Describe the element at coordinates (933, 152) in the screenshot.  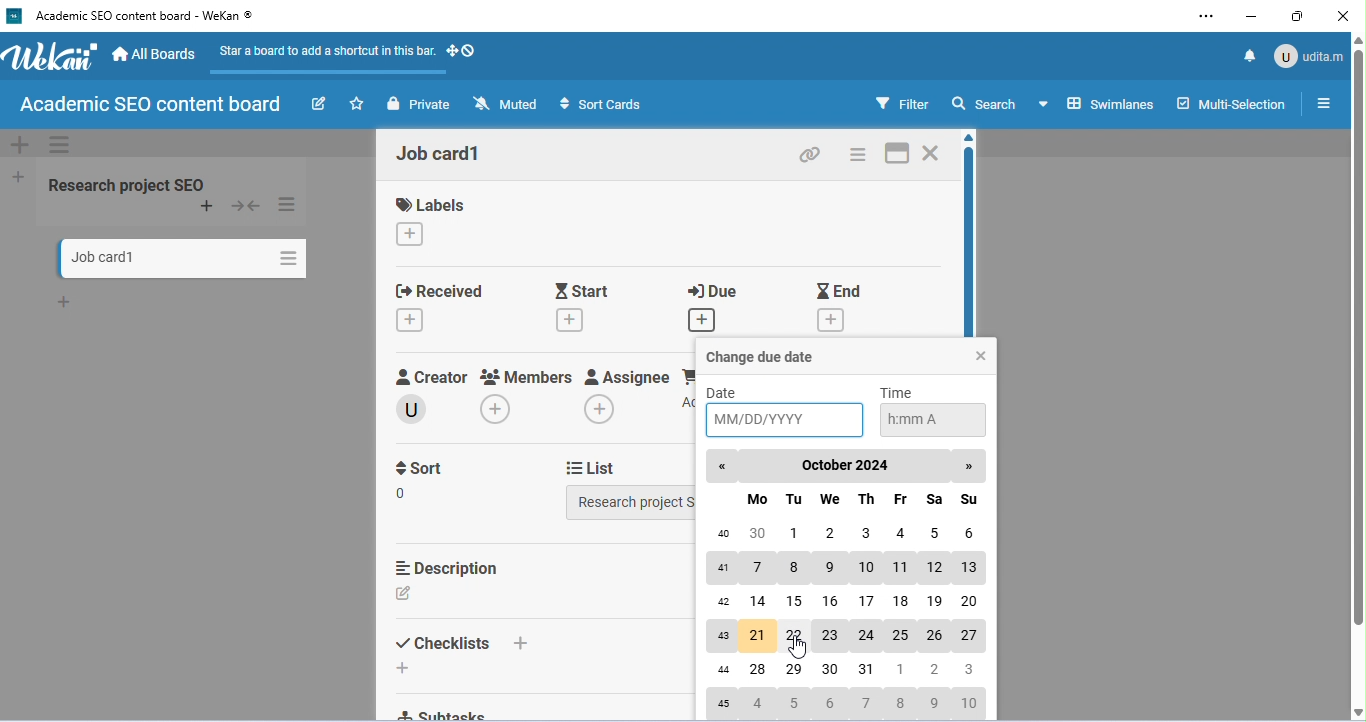
I see `close card` at that location.